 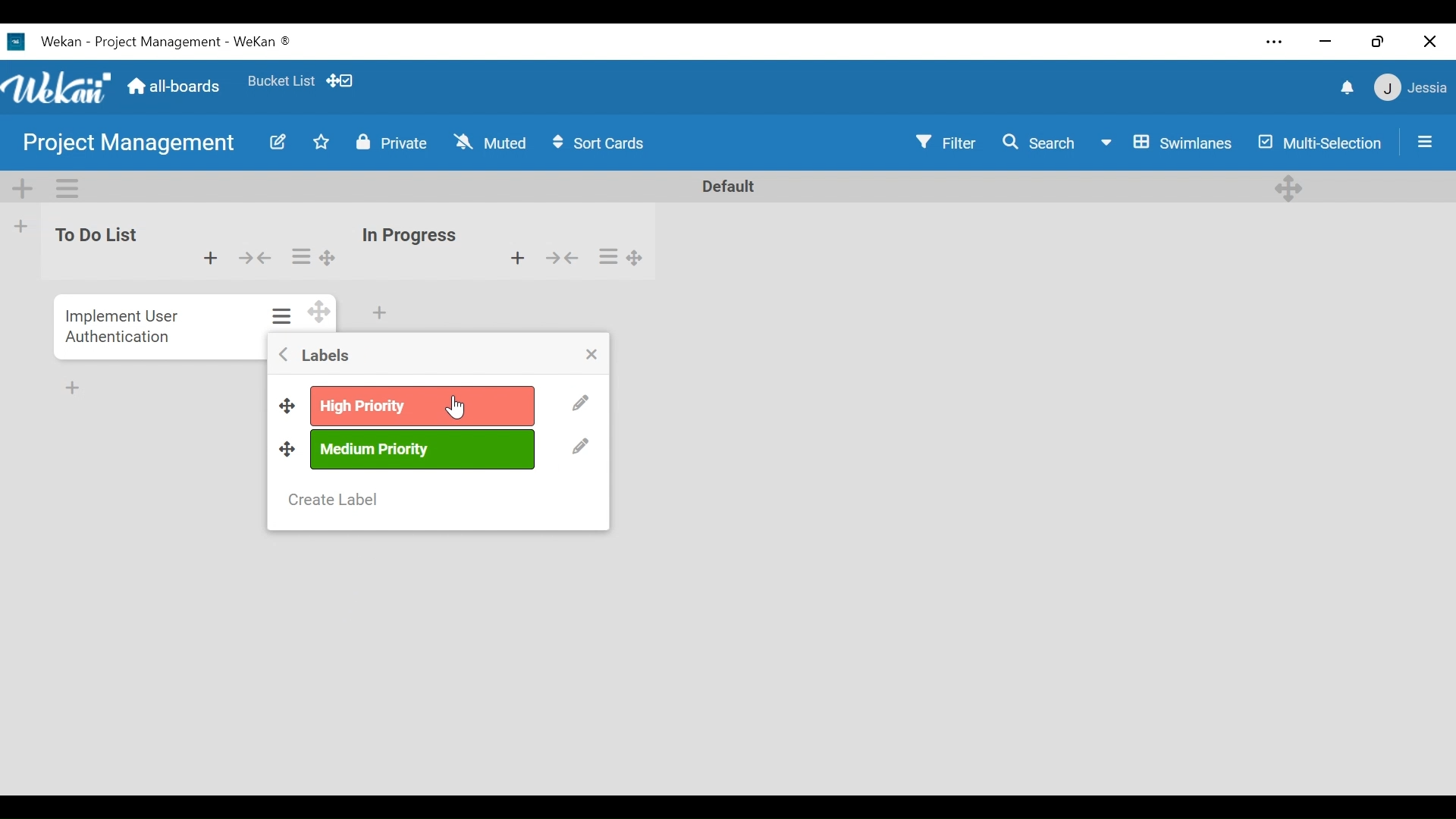 I want to click on mark as favorite, so click(x=323, y=144).